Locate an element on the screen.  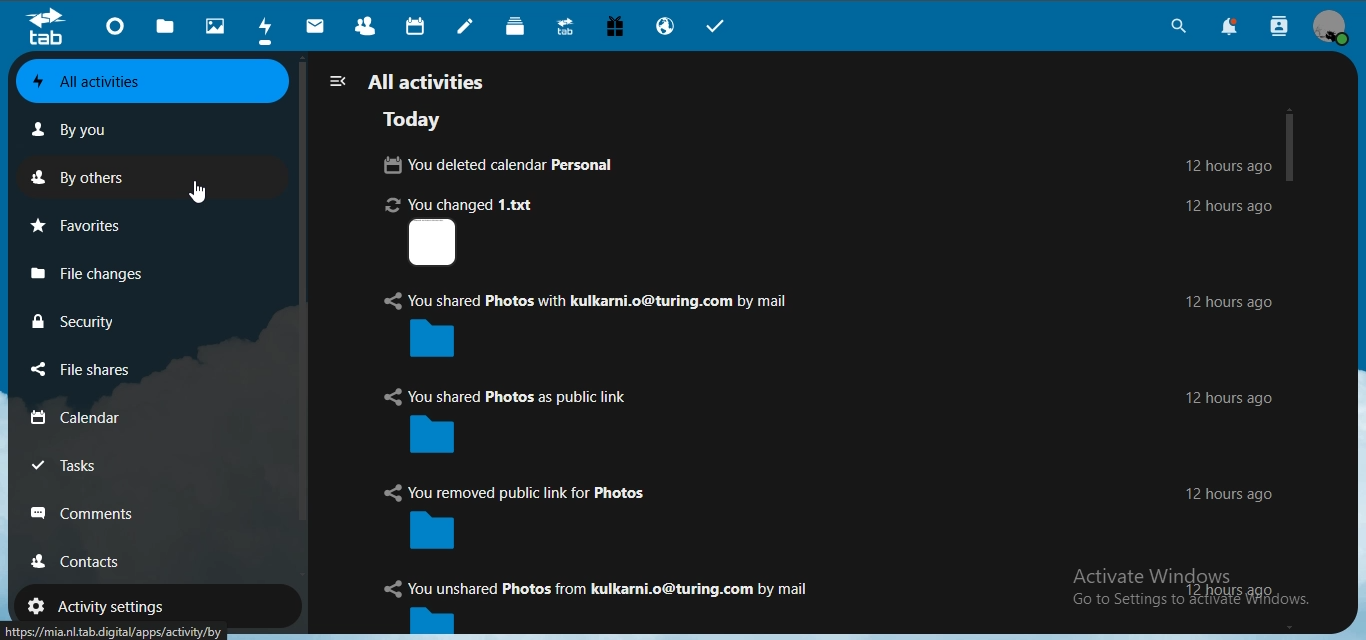
search contact is located at coordinates (1275, 27).